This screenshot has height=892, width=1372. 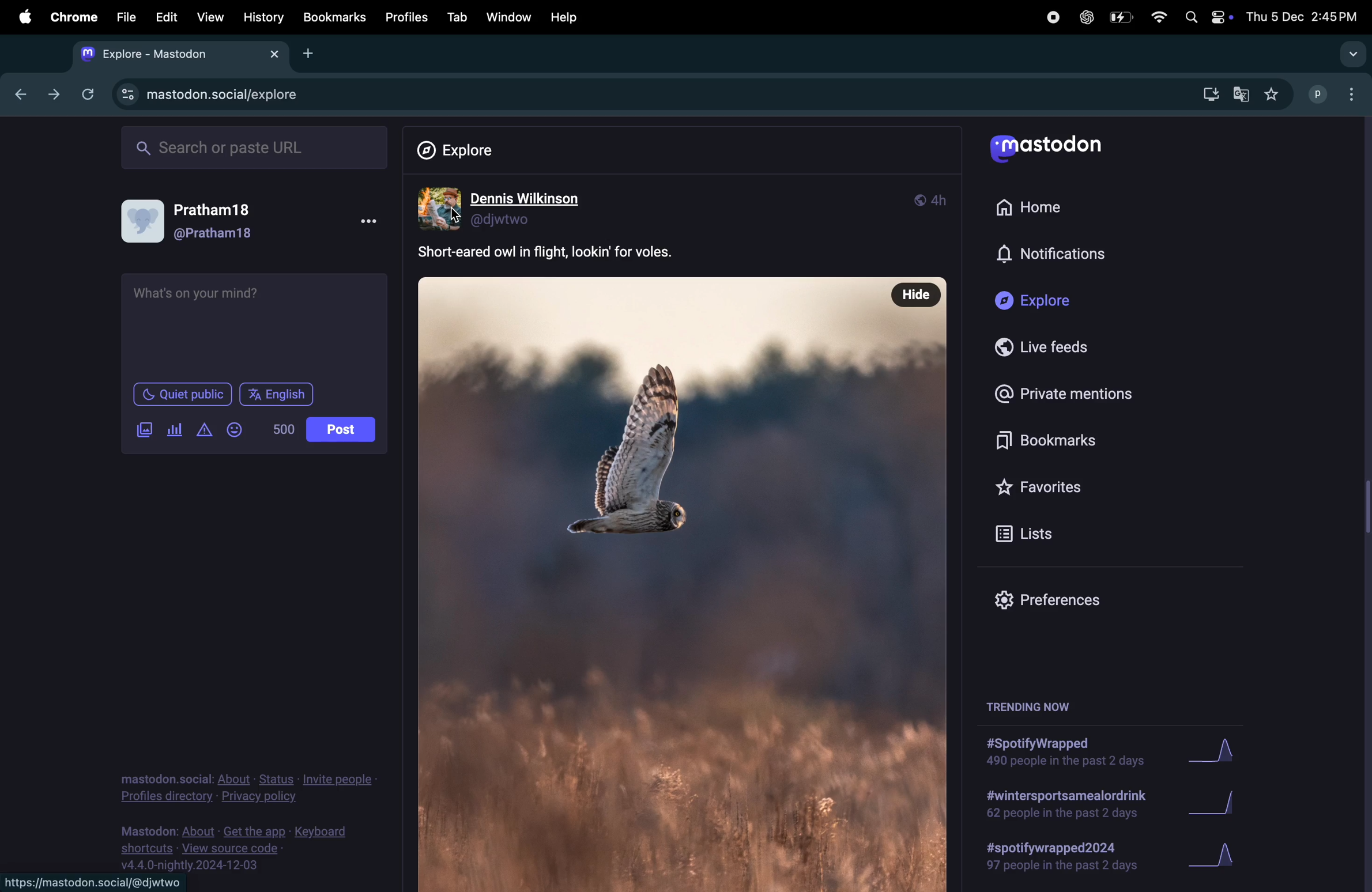 What do you see at coordinates (1048, 18) in the screenshot?
I see `record` at bounding box center [1048, 18].